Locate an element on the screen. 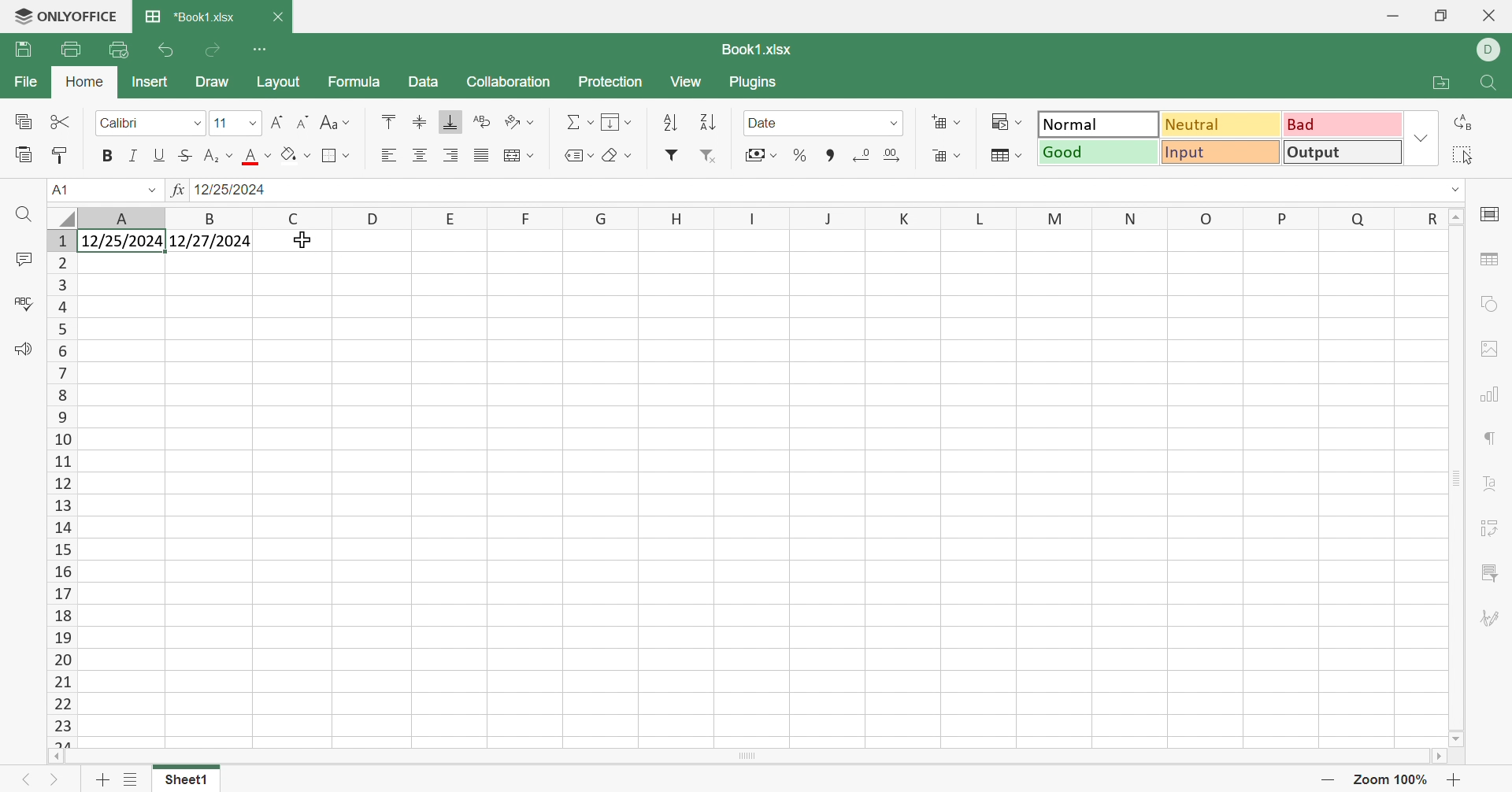  Zoom Out is located at coordinates (1331, 779).